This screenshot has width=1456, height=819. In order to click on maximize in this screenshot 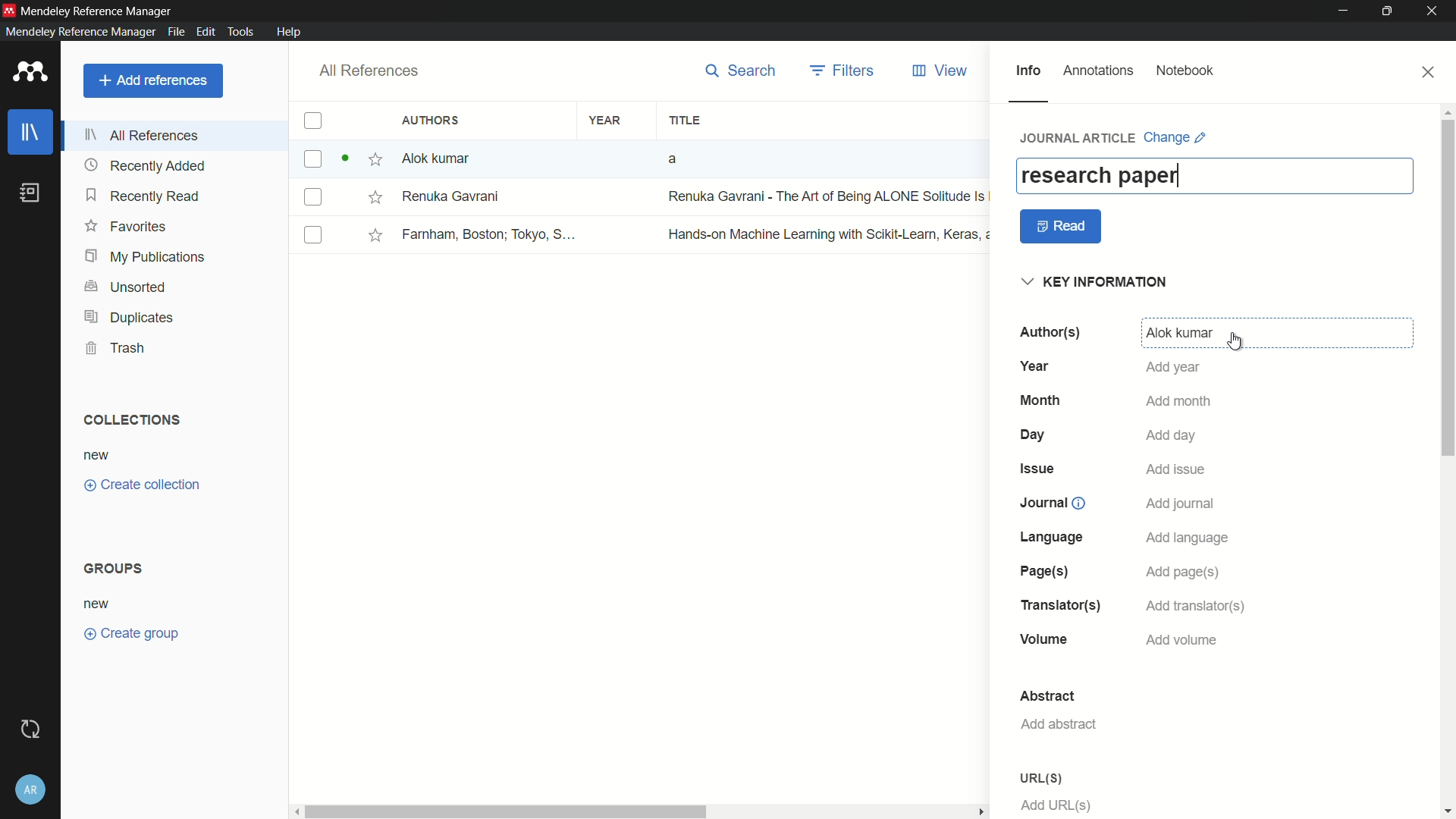, I will do `click(1390, 11)`.